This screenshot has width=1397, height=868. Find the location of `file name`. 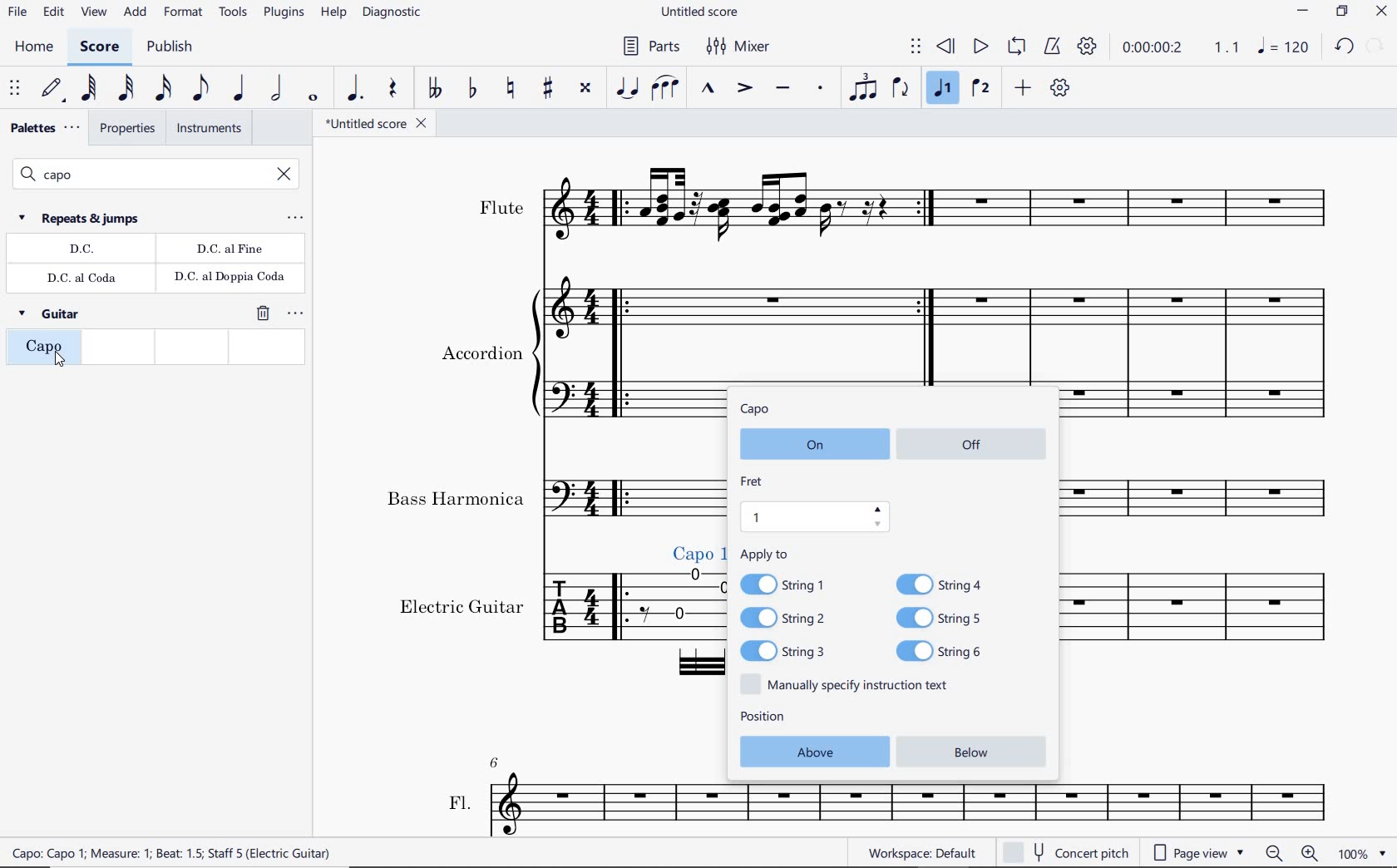

file name is located at coordinates (378, 125).